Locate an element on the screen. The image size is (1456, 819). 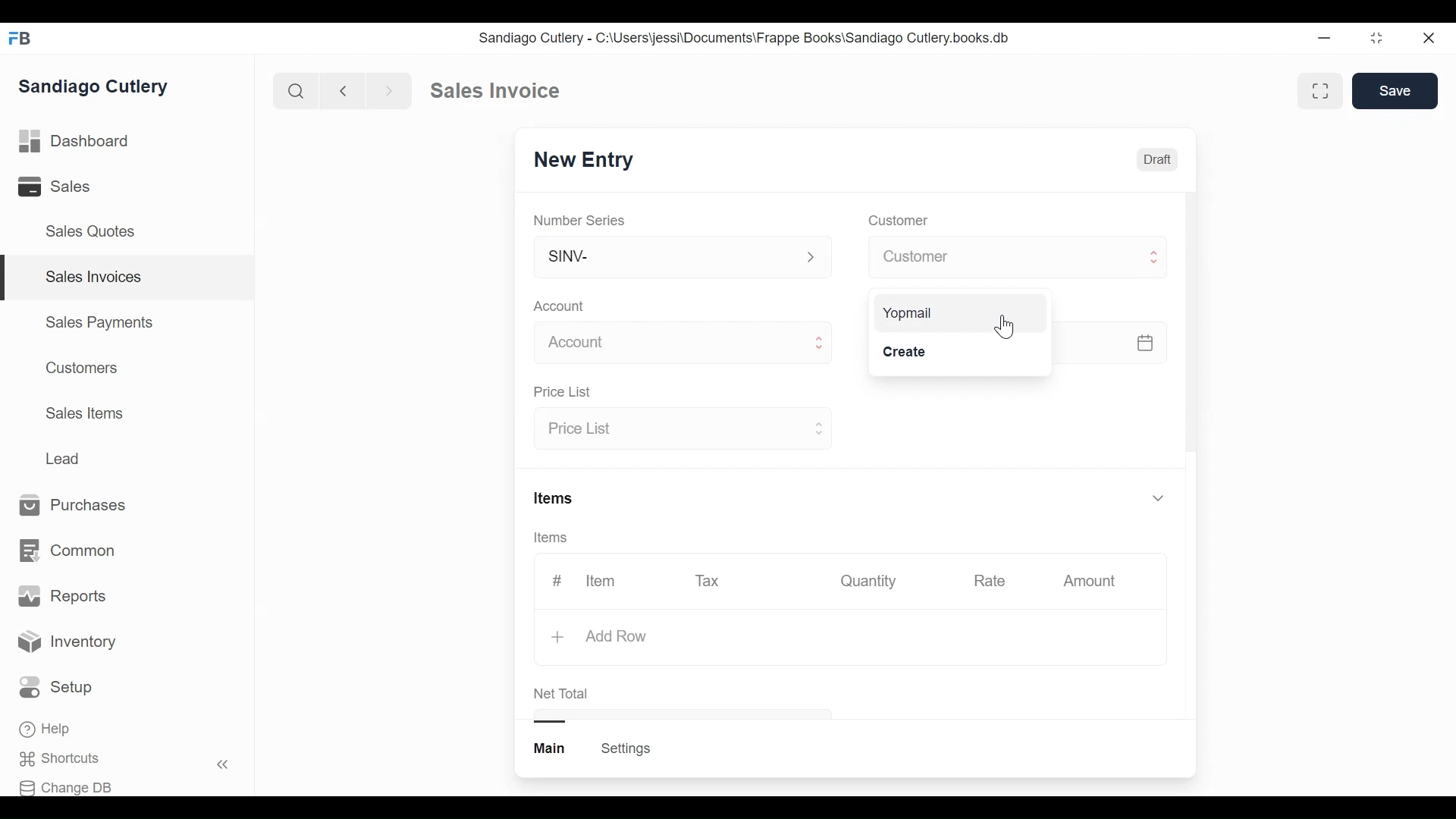
Customers is located at coordinates (78, 368).